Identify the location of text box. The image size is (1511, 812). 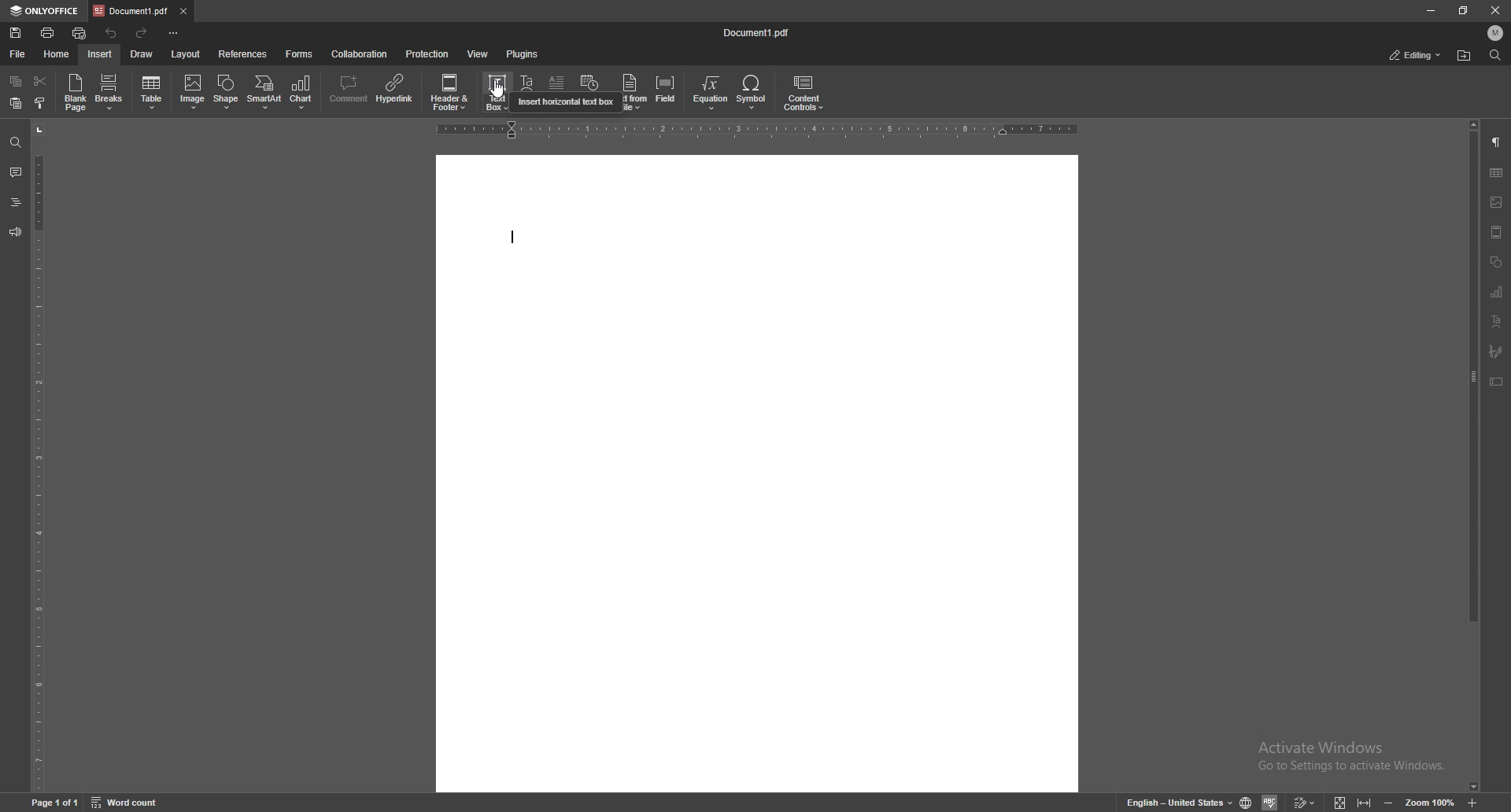
(1497, 382).